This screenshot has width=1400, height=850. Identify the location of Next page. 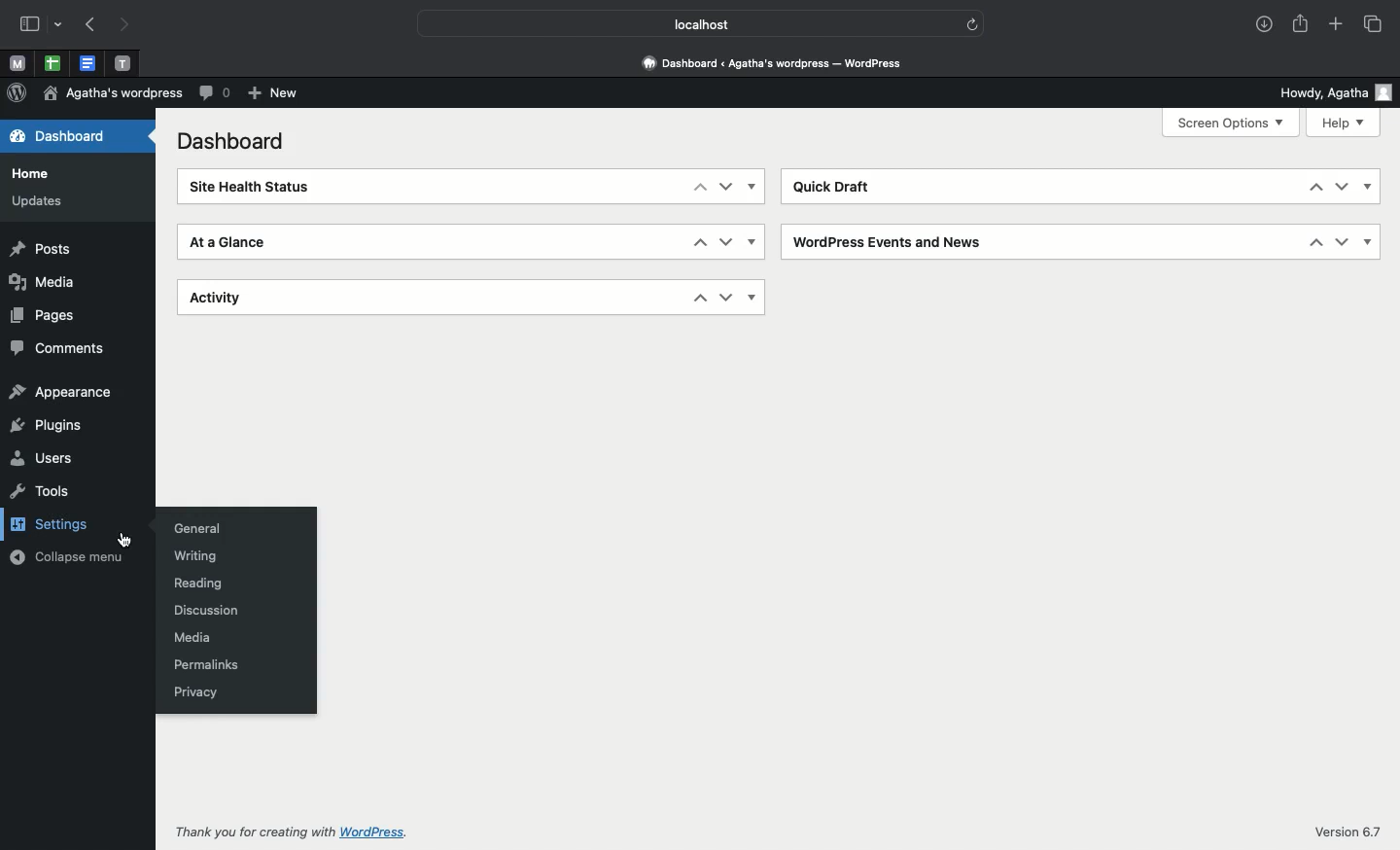
(127, 26).